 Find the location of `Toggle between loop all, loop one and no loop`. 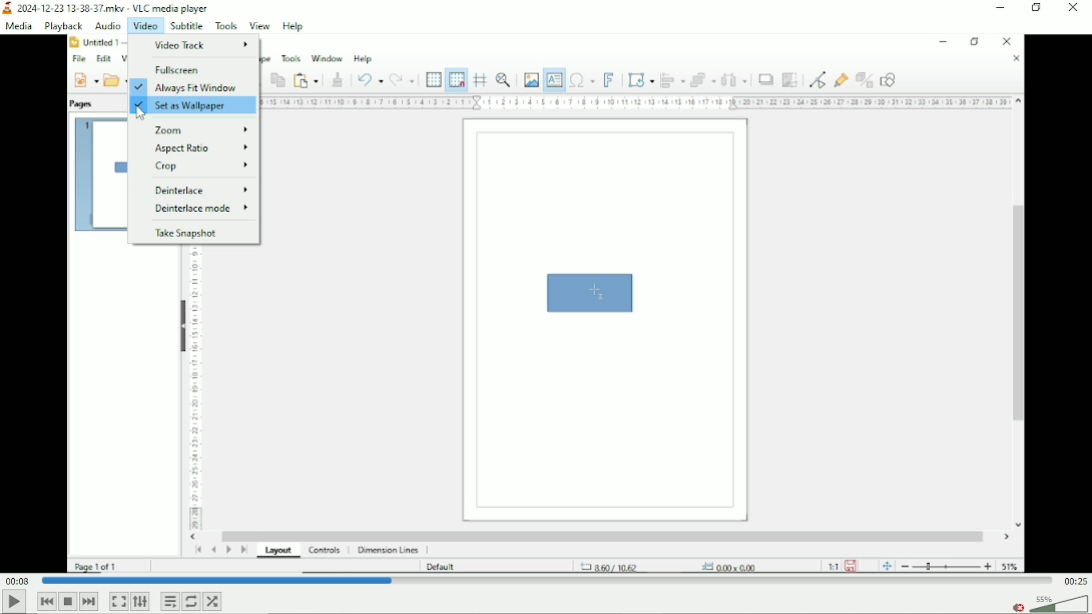

Toggle between loop all, loop one and no loop is located at coordinates (190, 602).